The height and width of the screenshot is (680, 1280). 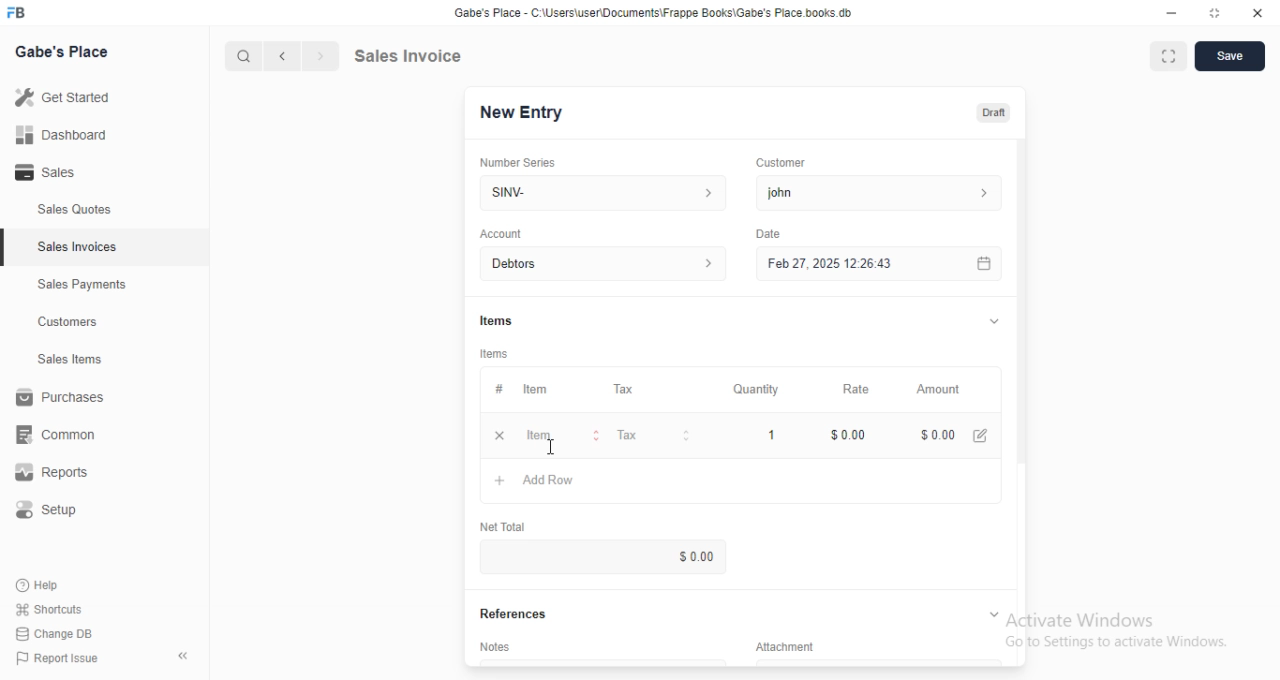 What do you see at coordinates (1257, 14) in the screenshot?
I see `Close` at bounding box center [1257, 14].